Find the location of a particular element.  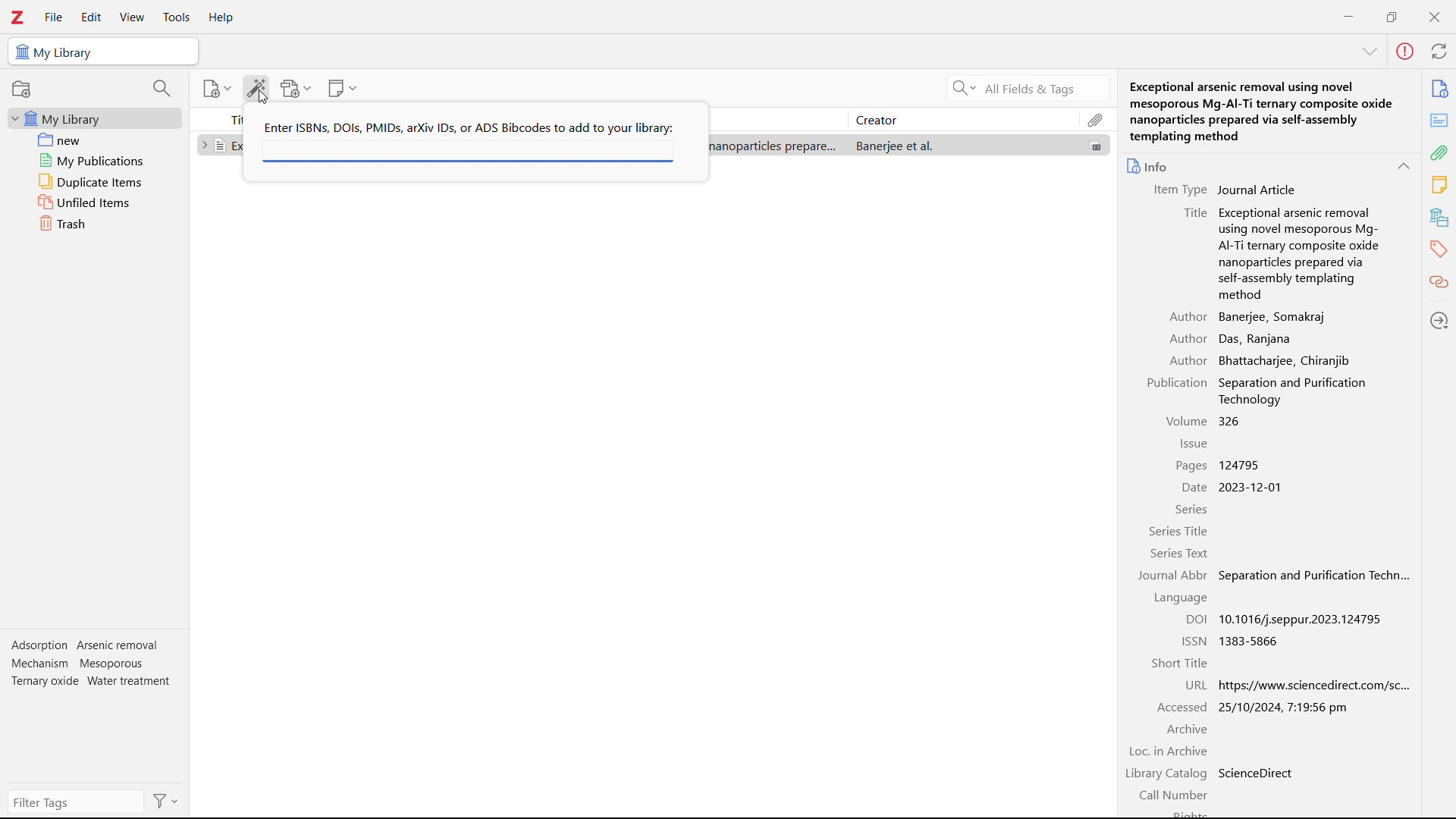

filter tags is located at coordinates (77, 802).